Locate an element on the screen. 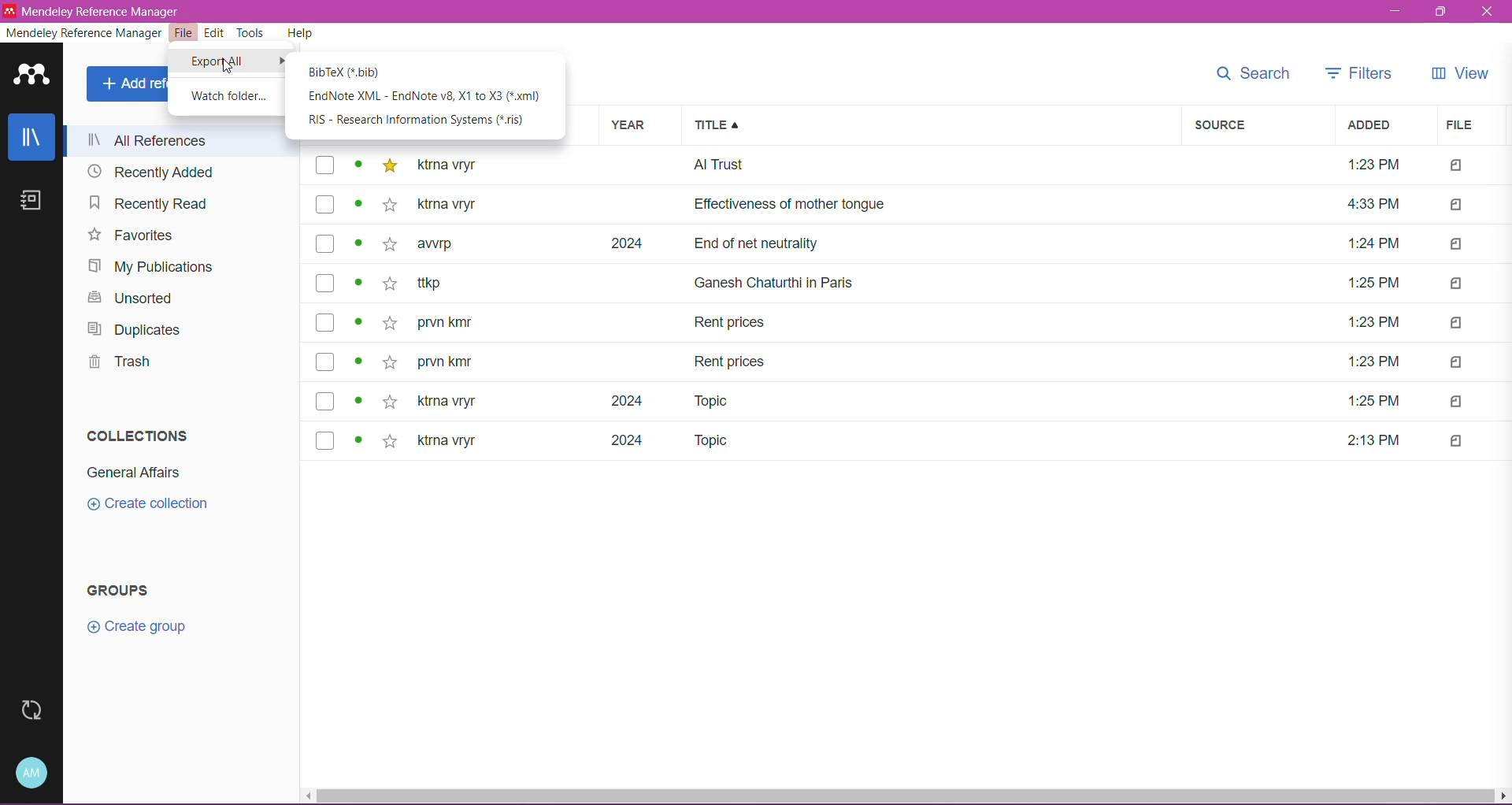  Tools is located at coordinates (251, 34).